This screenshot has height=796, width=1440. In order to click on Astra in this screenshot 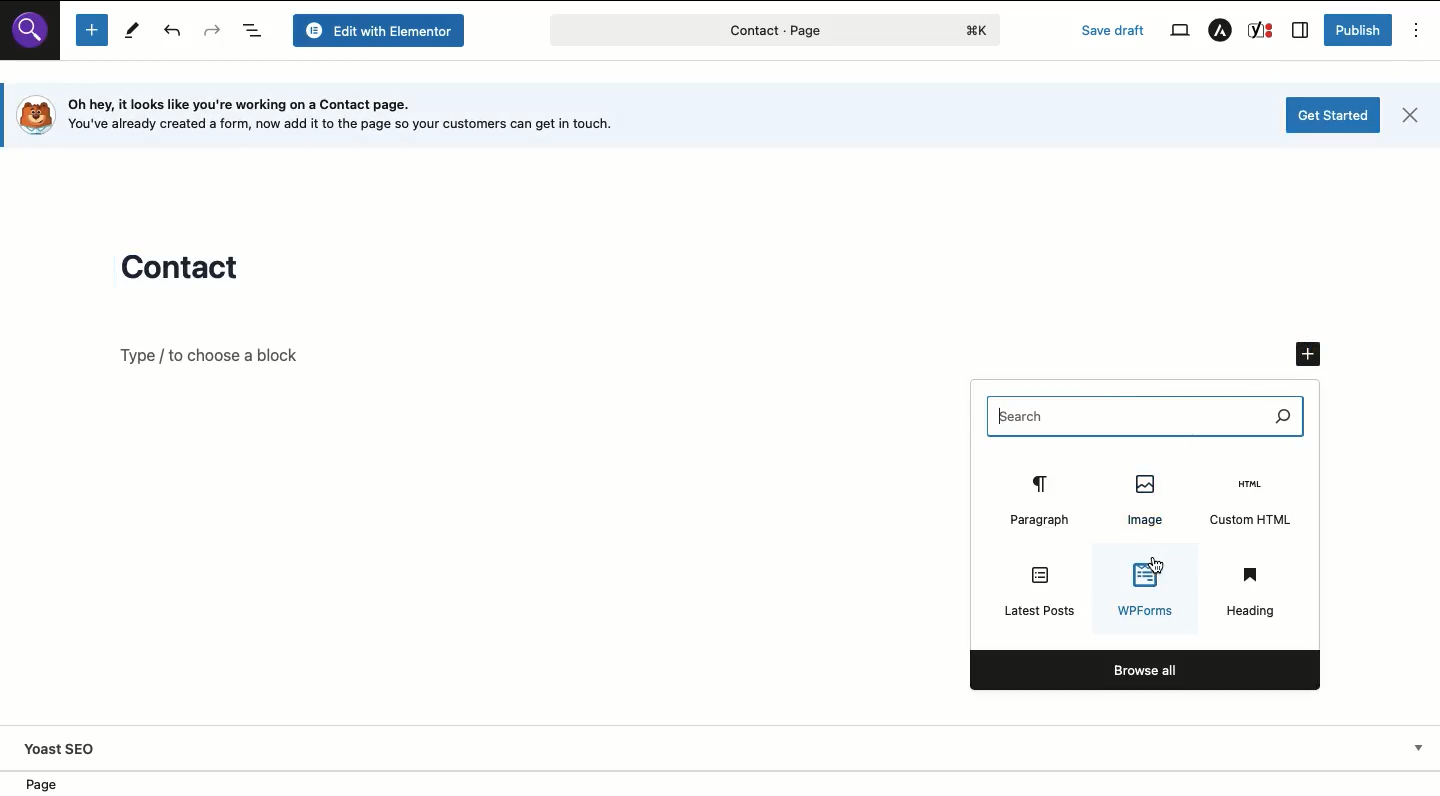, I will do `click(1219, 31)`.